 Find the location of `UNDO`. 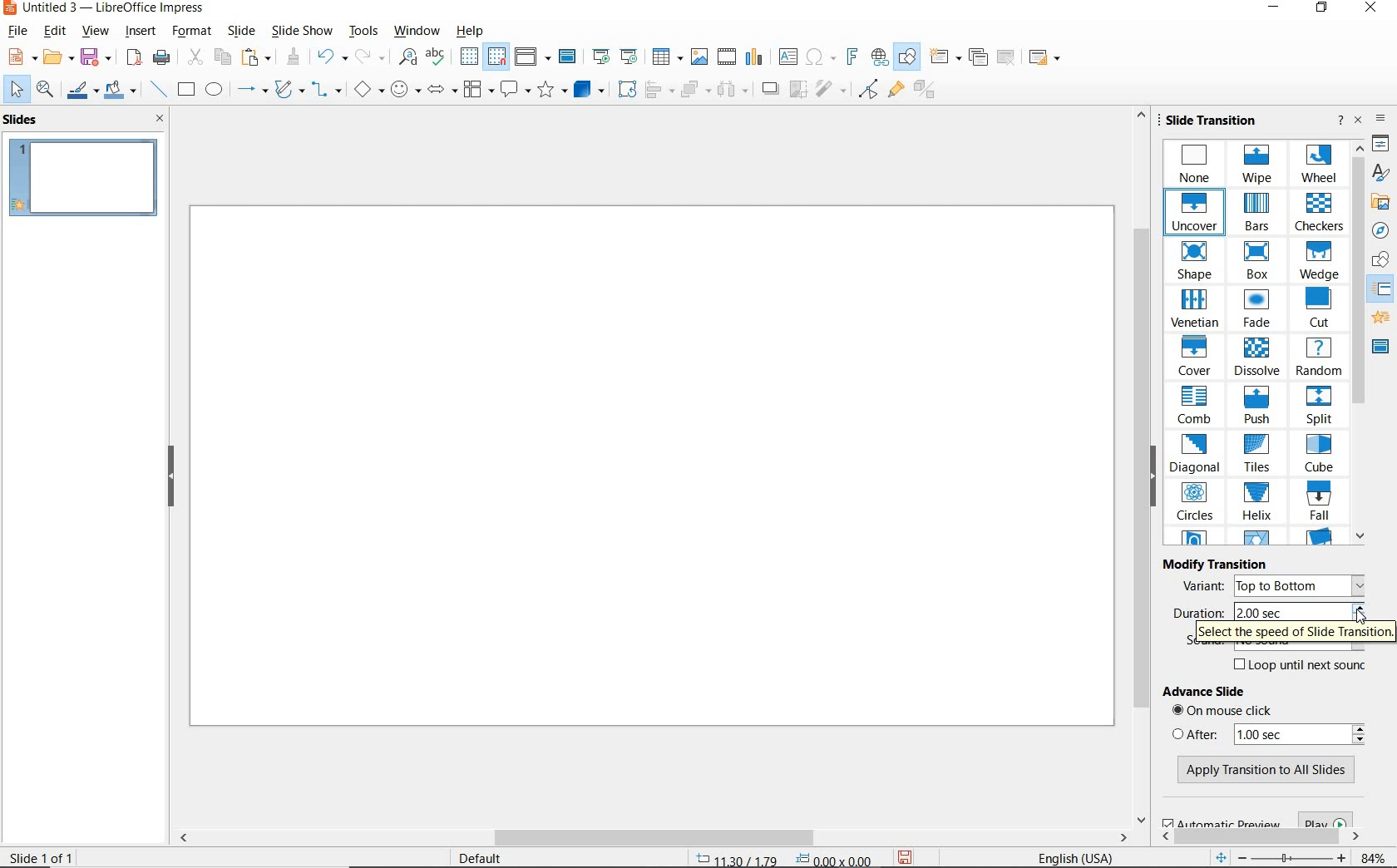

UNDO is located at coordinates (333, 56).